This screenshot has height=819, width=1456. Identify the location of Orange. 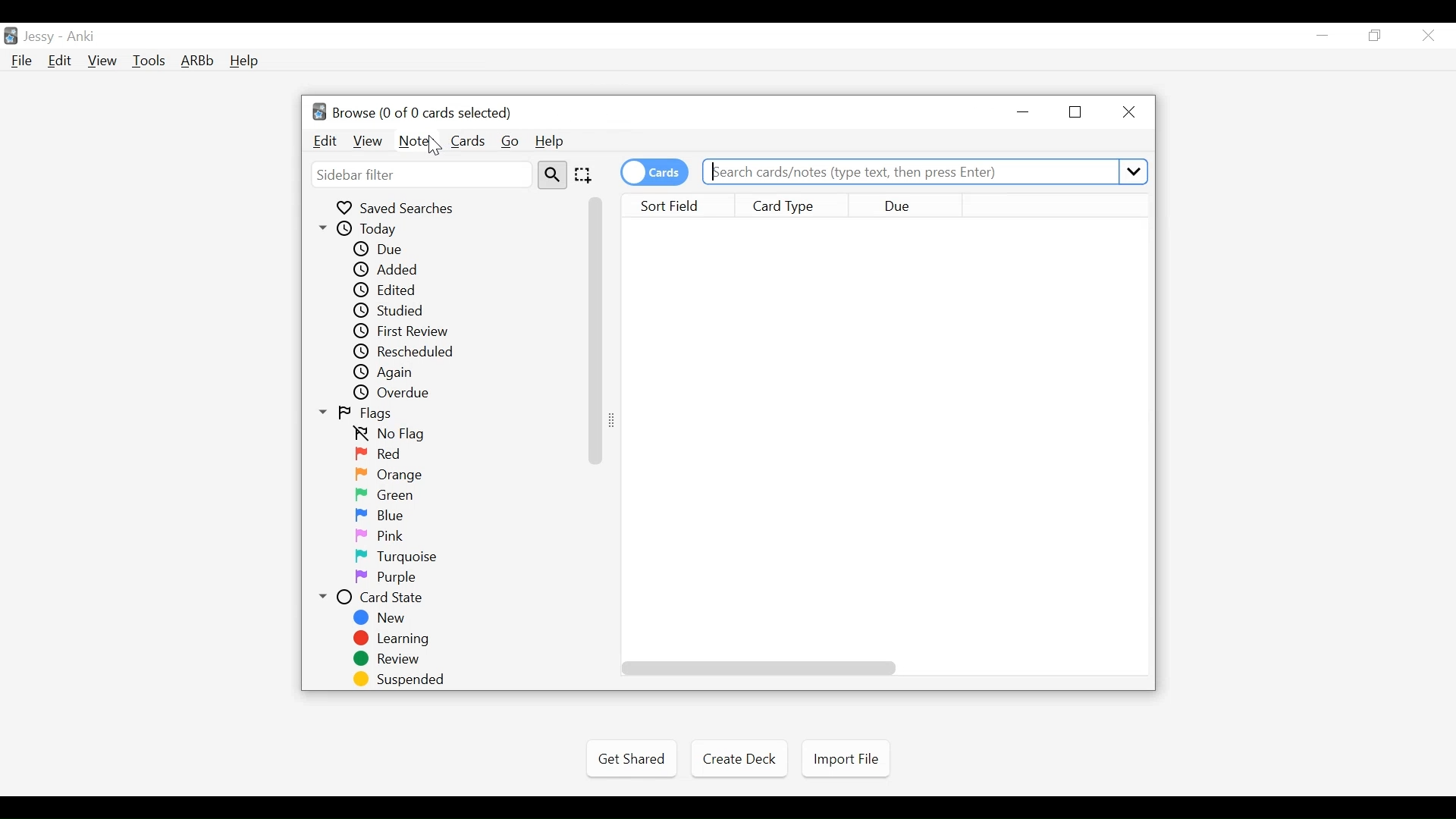
(391, 475).